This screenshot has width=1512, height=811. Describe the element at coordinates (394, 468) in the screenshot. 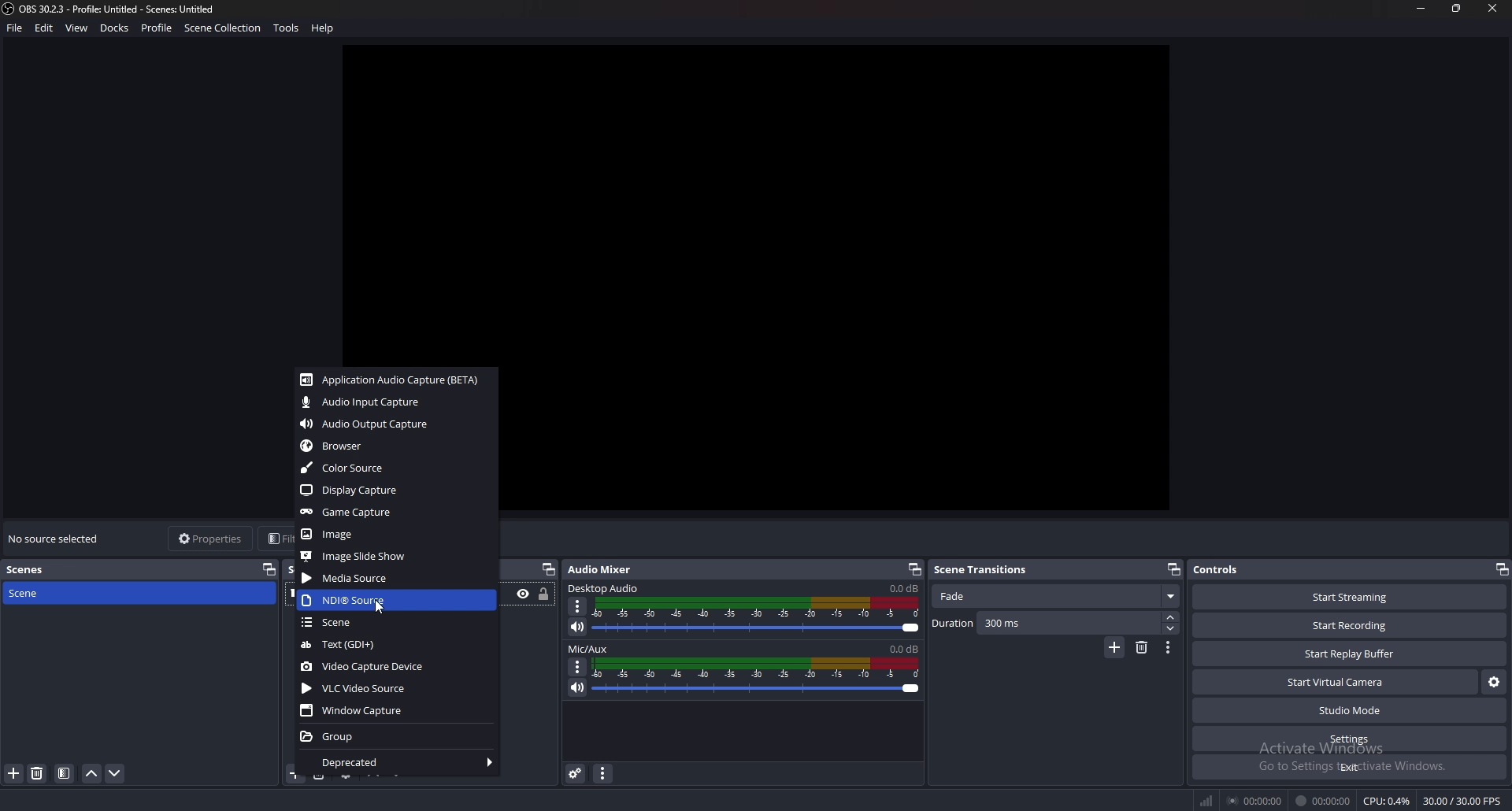

I see `color source` at that location.